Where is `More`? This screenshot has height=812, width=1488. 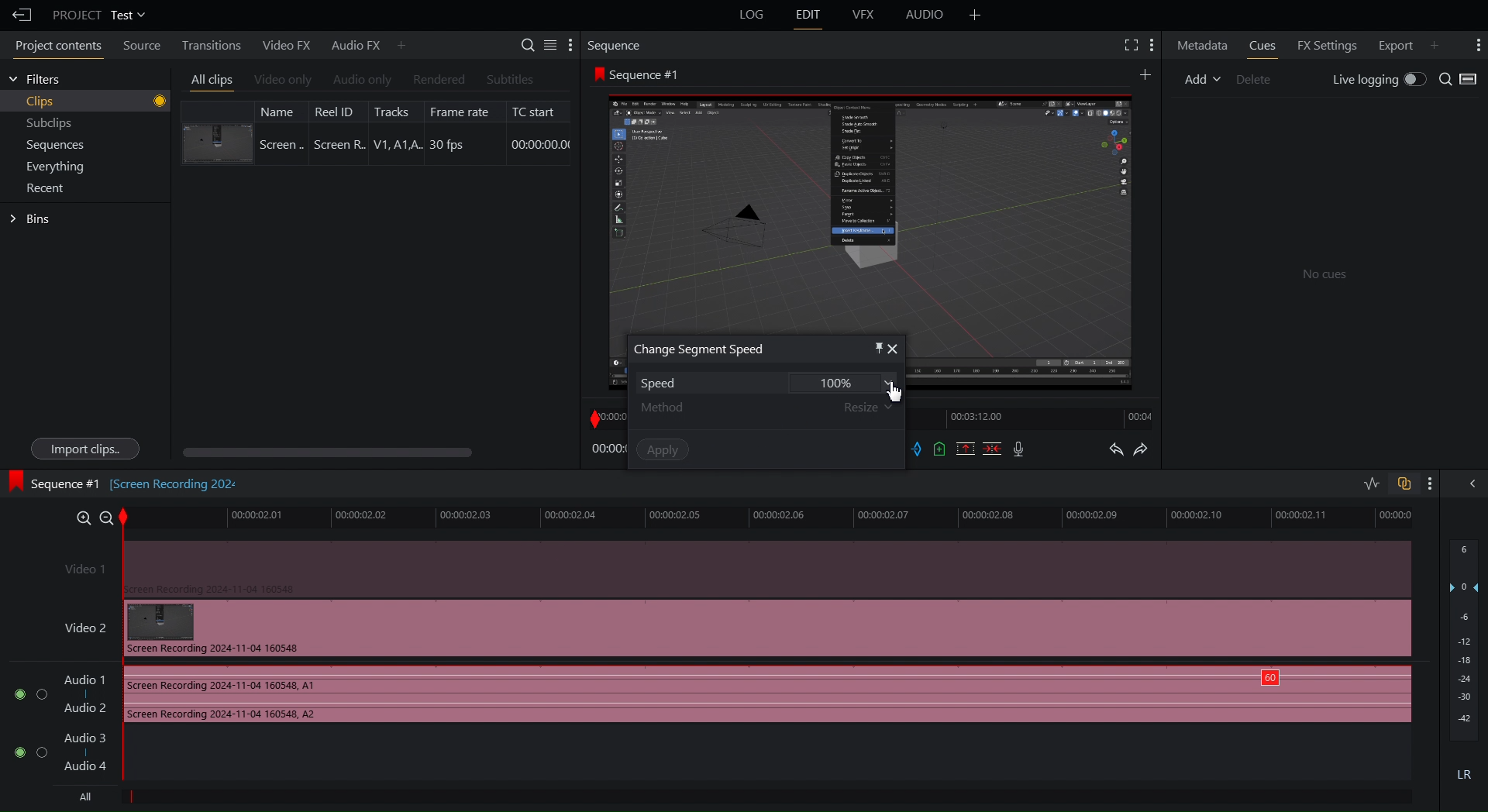 More is located at coordinates (1476, 45).